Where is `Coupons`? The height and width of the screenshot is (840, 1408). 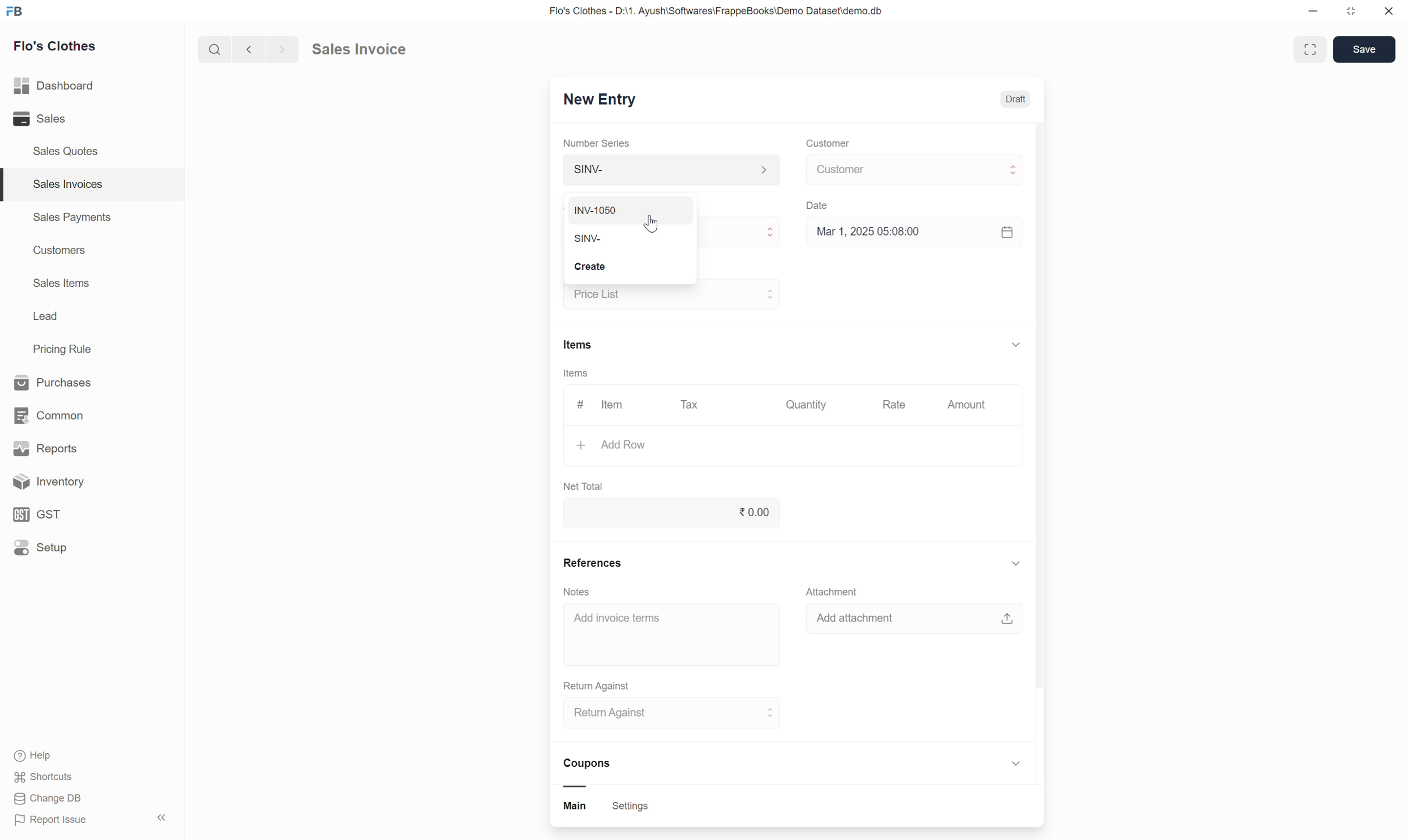
Coupons is located at coordinates (593, 772).